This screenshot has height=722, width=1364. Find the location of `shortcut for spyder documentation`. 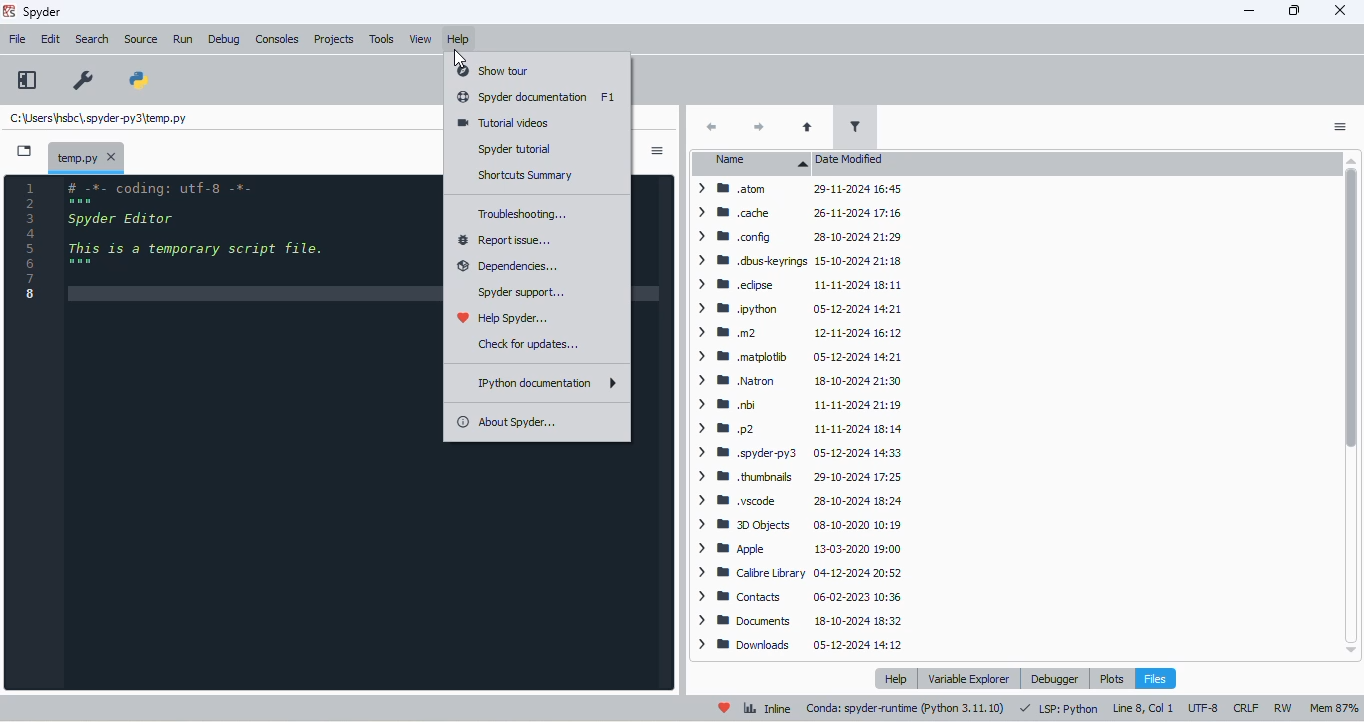

shortcut for spyder documentation is located at coordinates (609, 97).